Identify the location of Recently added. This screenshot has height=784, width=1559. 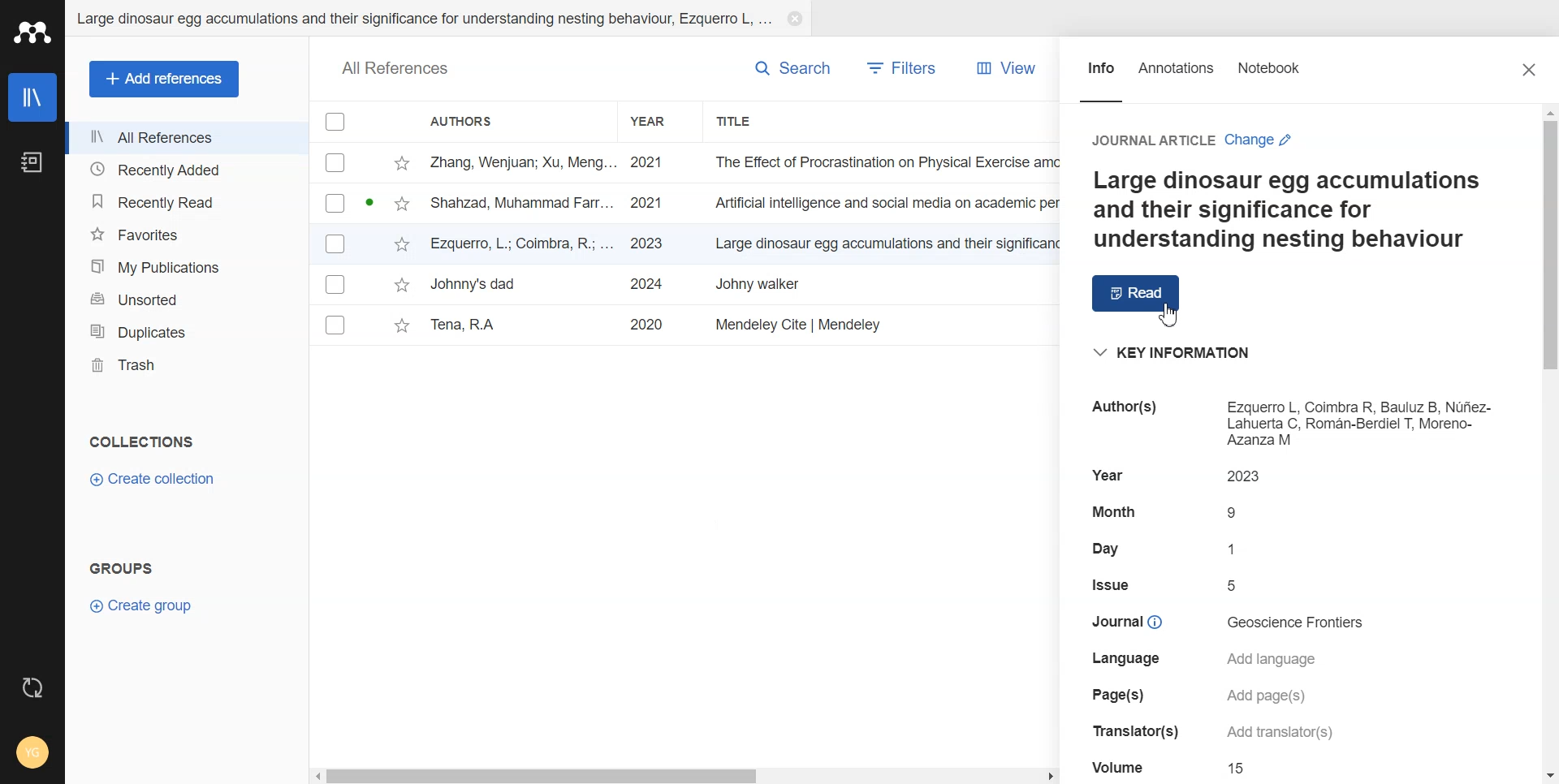
(185, 170).